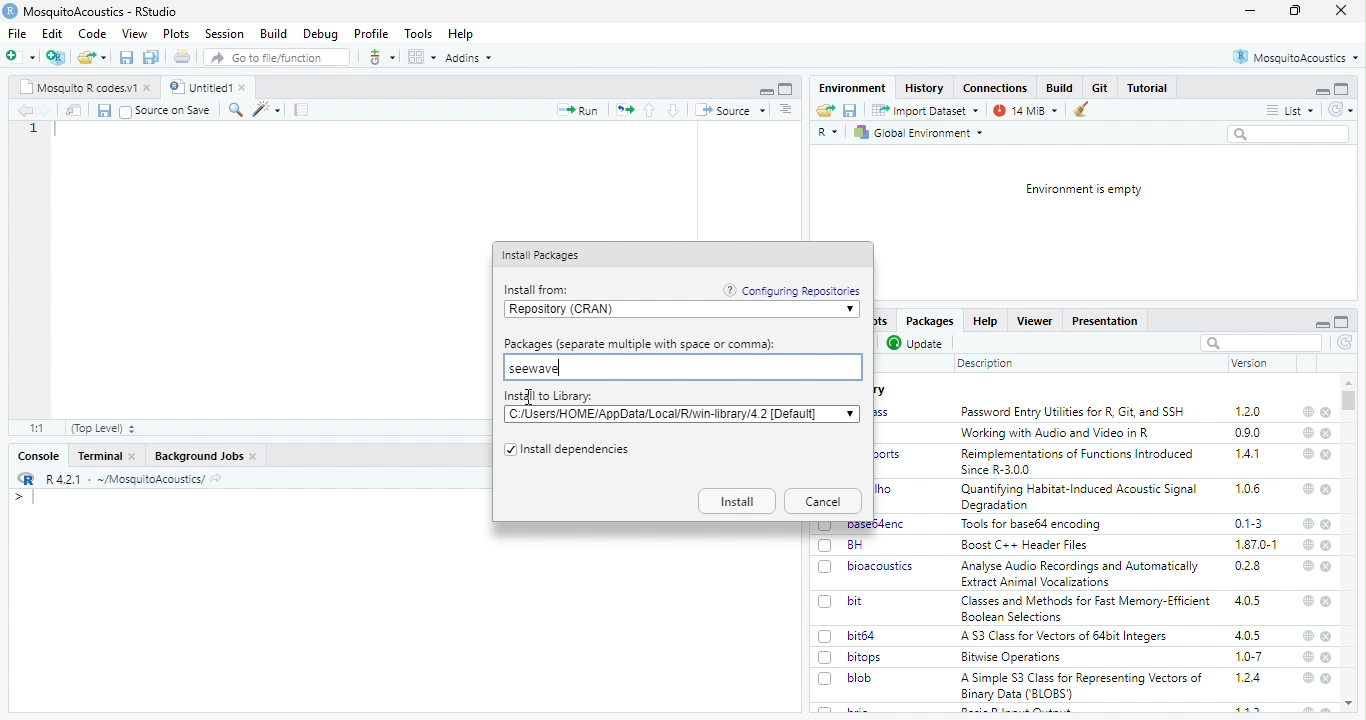 The width and height of the screenshot is (1366, 720). I want to click on checkbox, so click(826, 603).